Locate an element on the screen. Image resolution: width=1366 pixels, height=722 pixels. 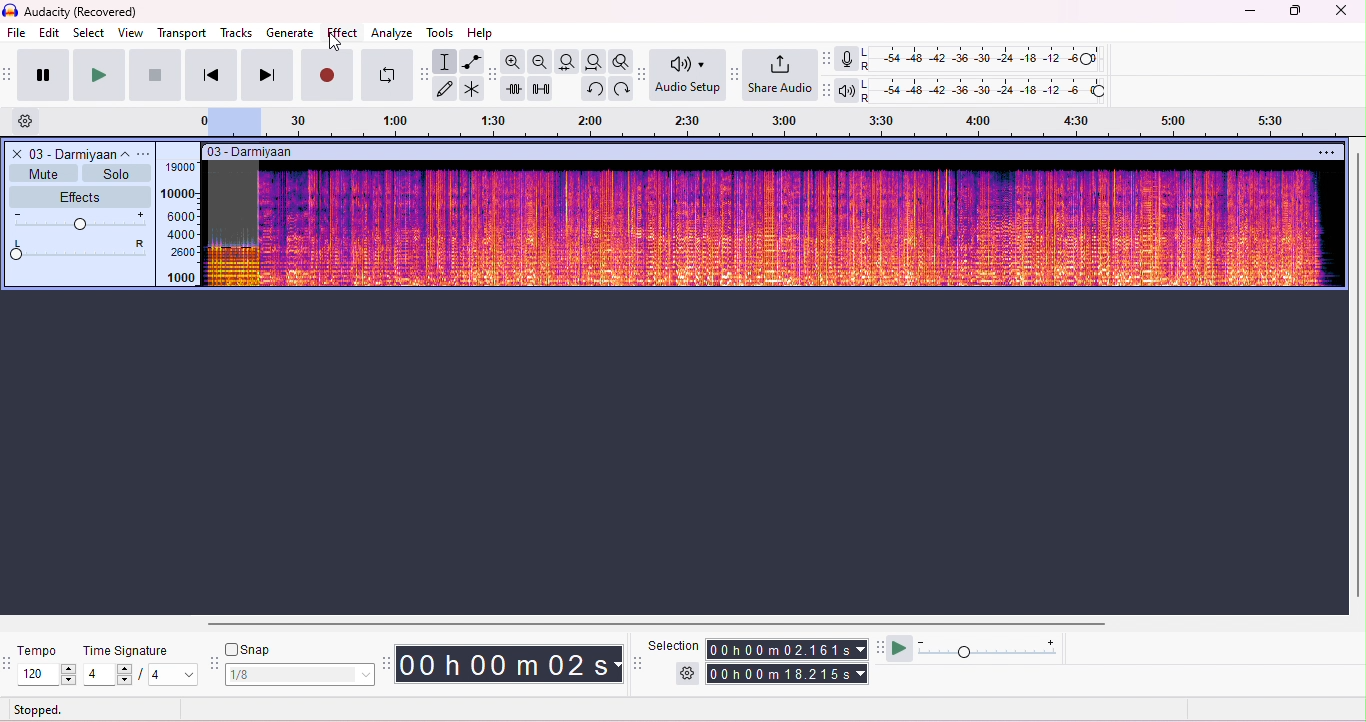
select time signature is located at coordinates (139, 675).